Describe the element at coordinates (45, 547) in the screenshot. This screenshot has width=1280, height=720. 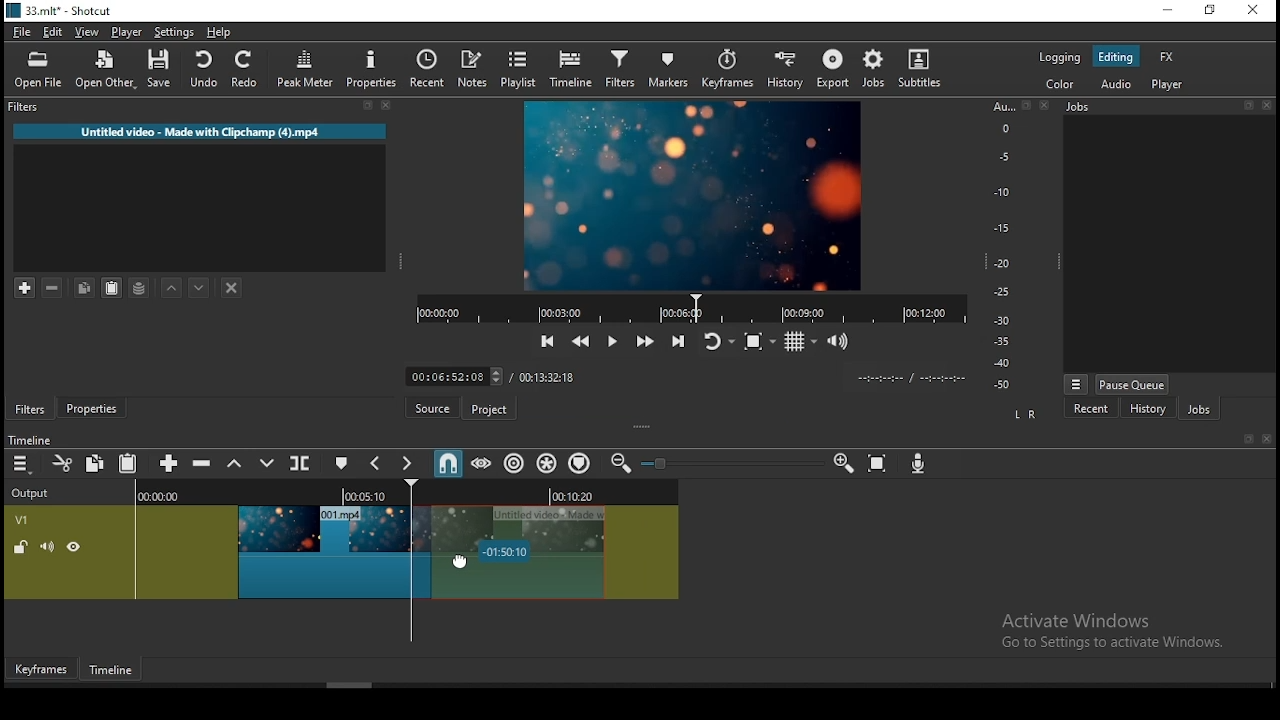
I see `(un)mute` at that location.